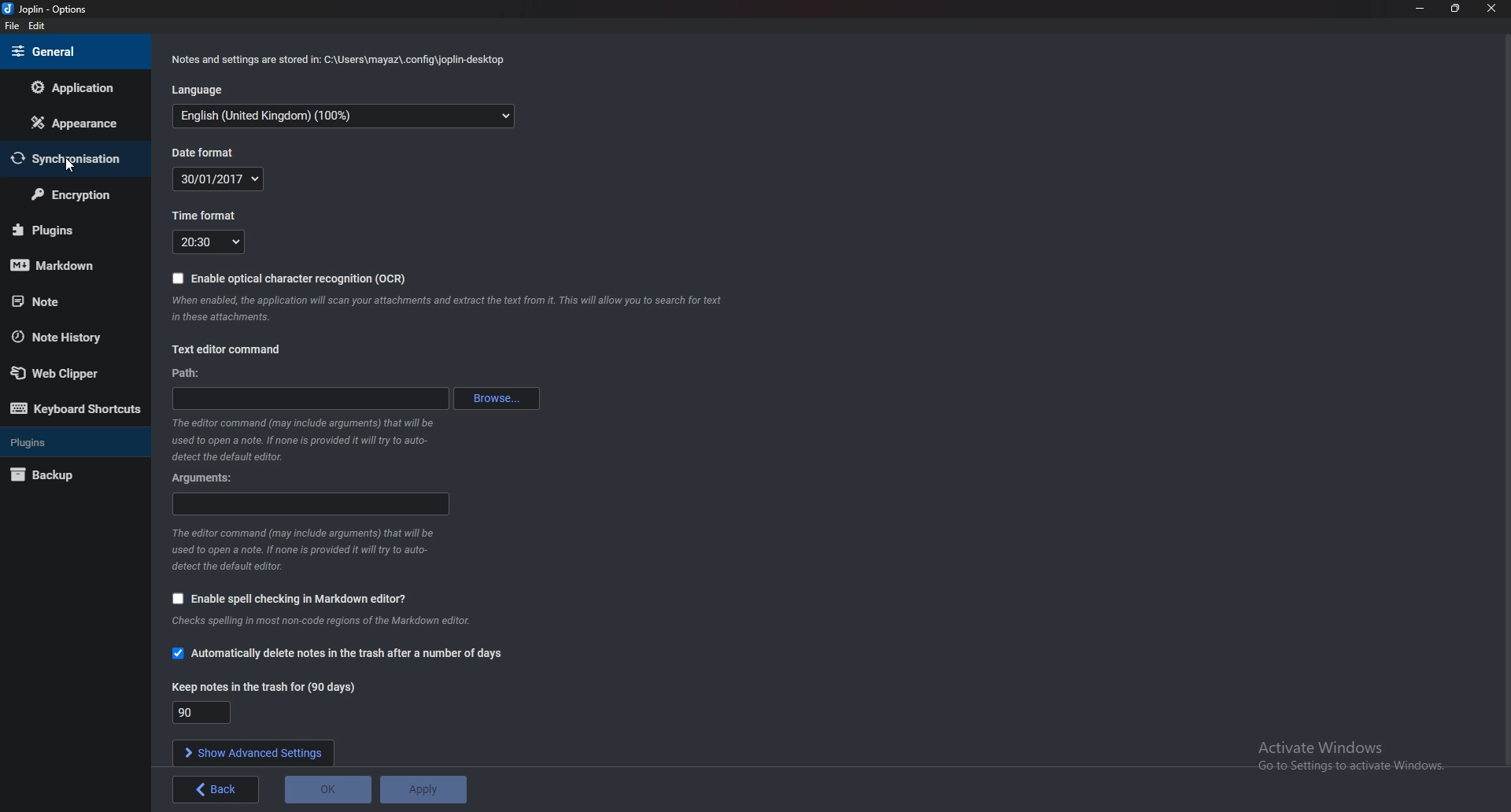  What do you see at coordinates (331, 622) in the screenshot?
I see `Info` at bounding box center [331, 622].